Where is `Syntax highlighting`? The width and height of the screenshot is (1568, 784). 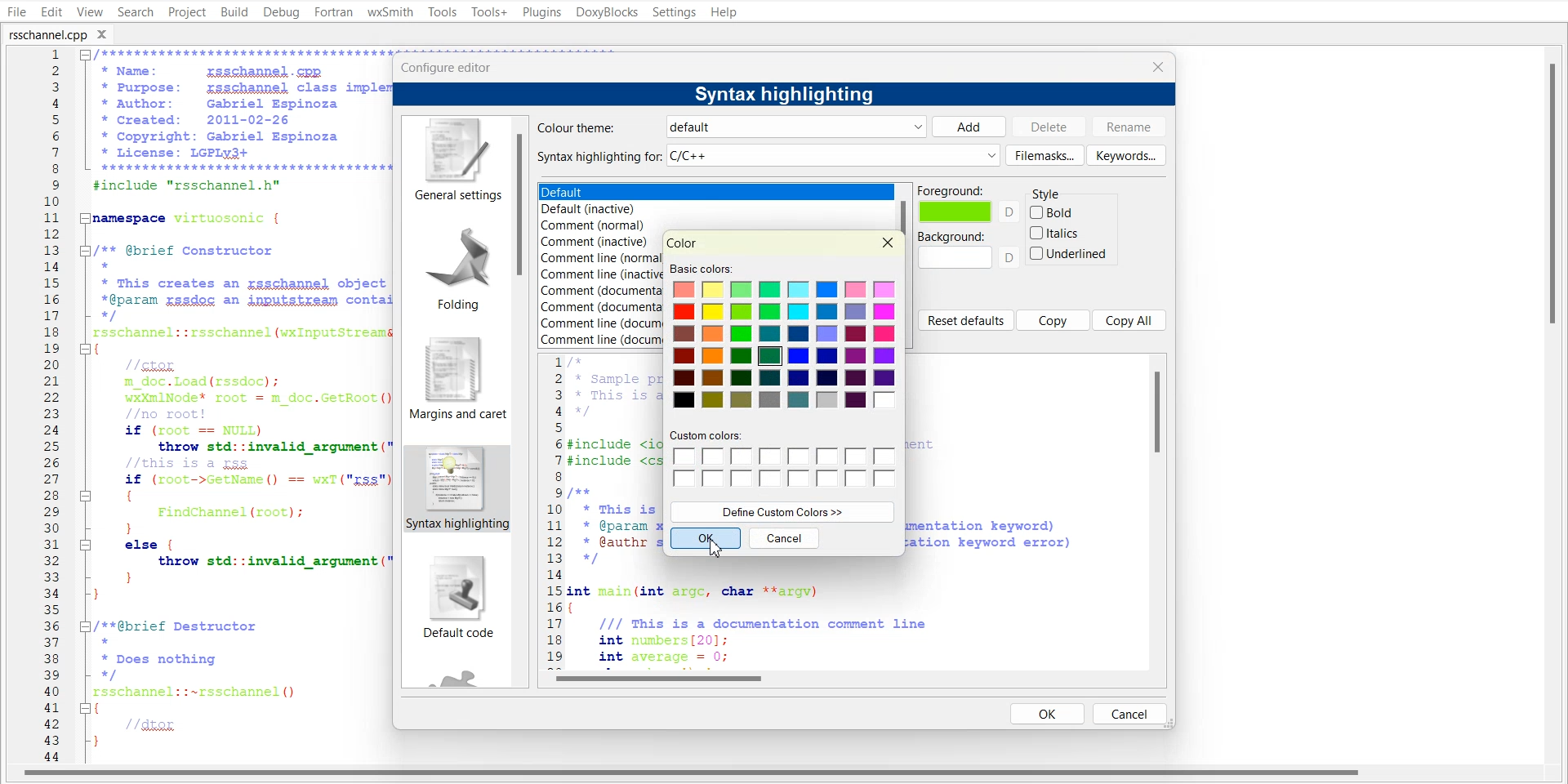
Syntax highlighting is located at coordinates (788, 93).